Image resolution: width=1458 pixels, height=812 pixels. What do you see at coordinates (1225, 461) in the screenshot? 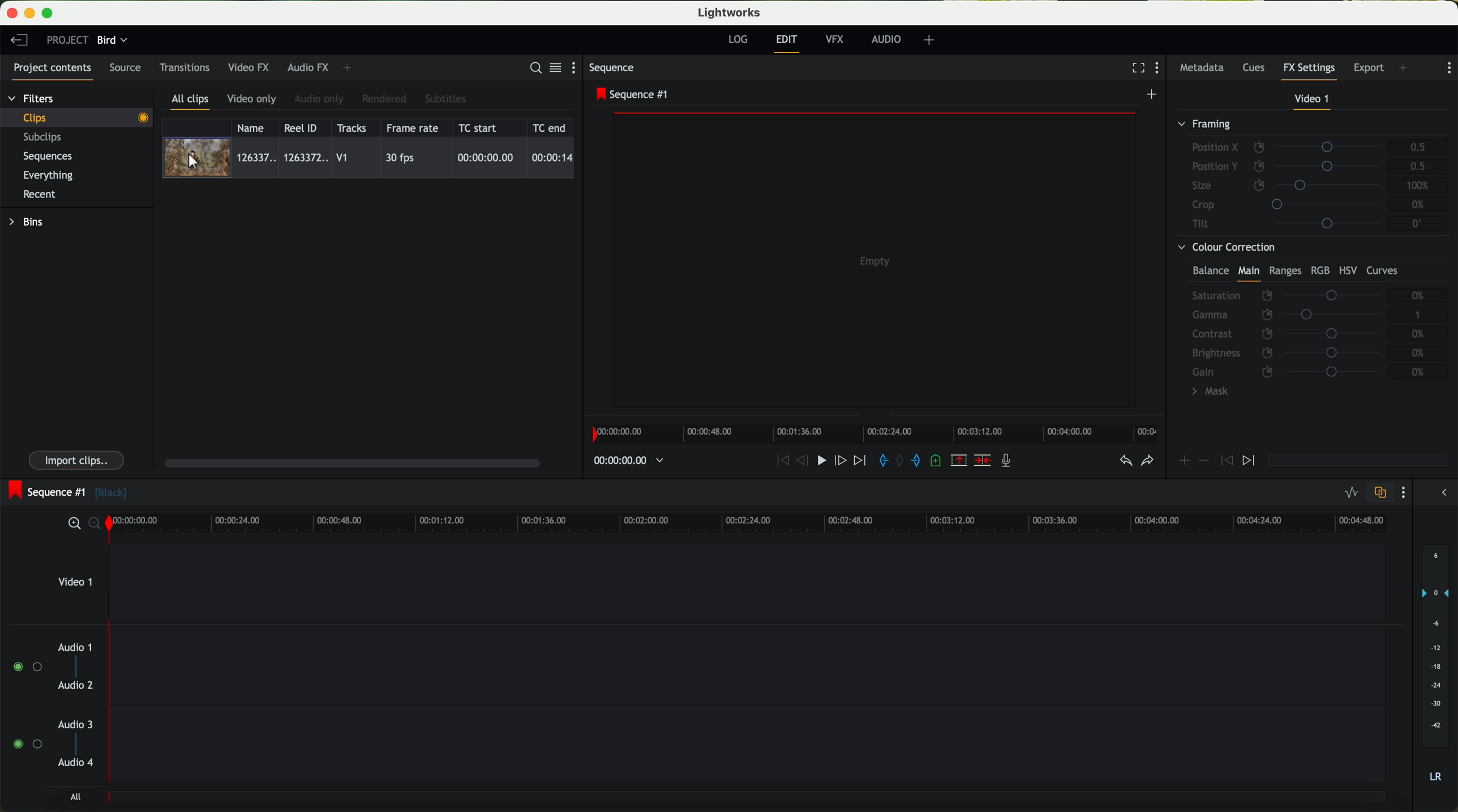
I see `icon` at bounding box center [1225, 461].